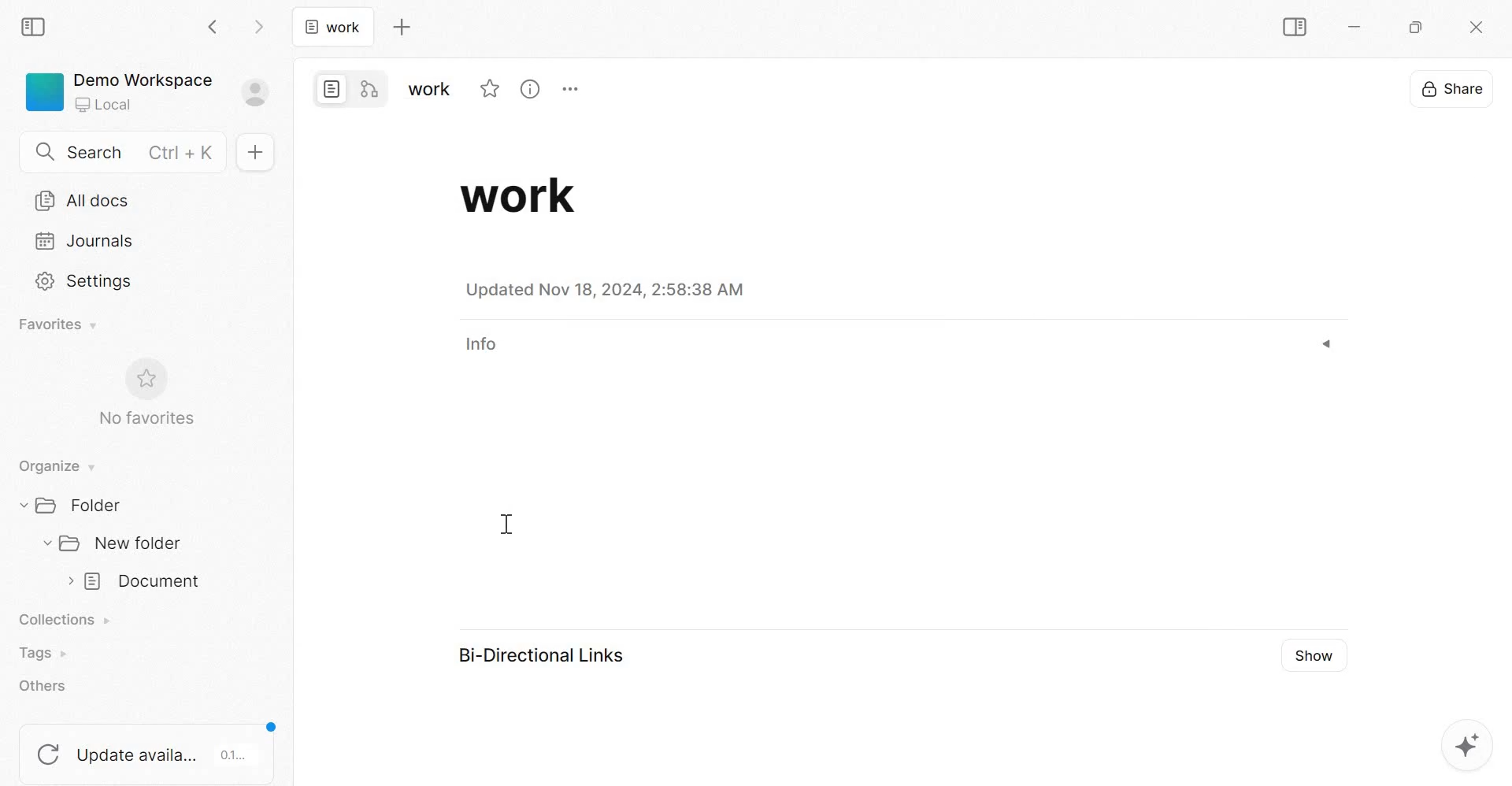 The width and height of the screenshot is (1512, 786). Describe the element at coordinates (54, 467) in the screenshot. I see `Organize` at that location.